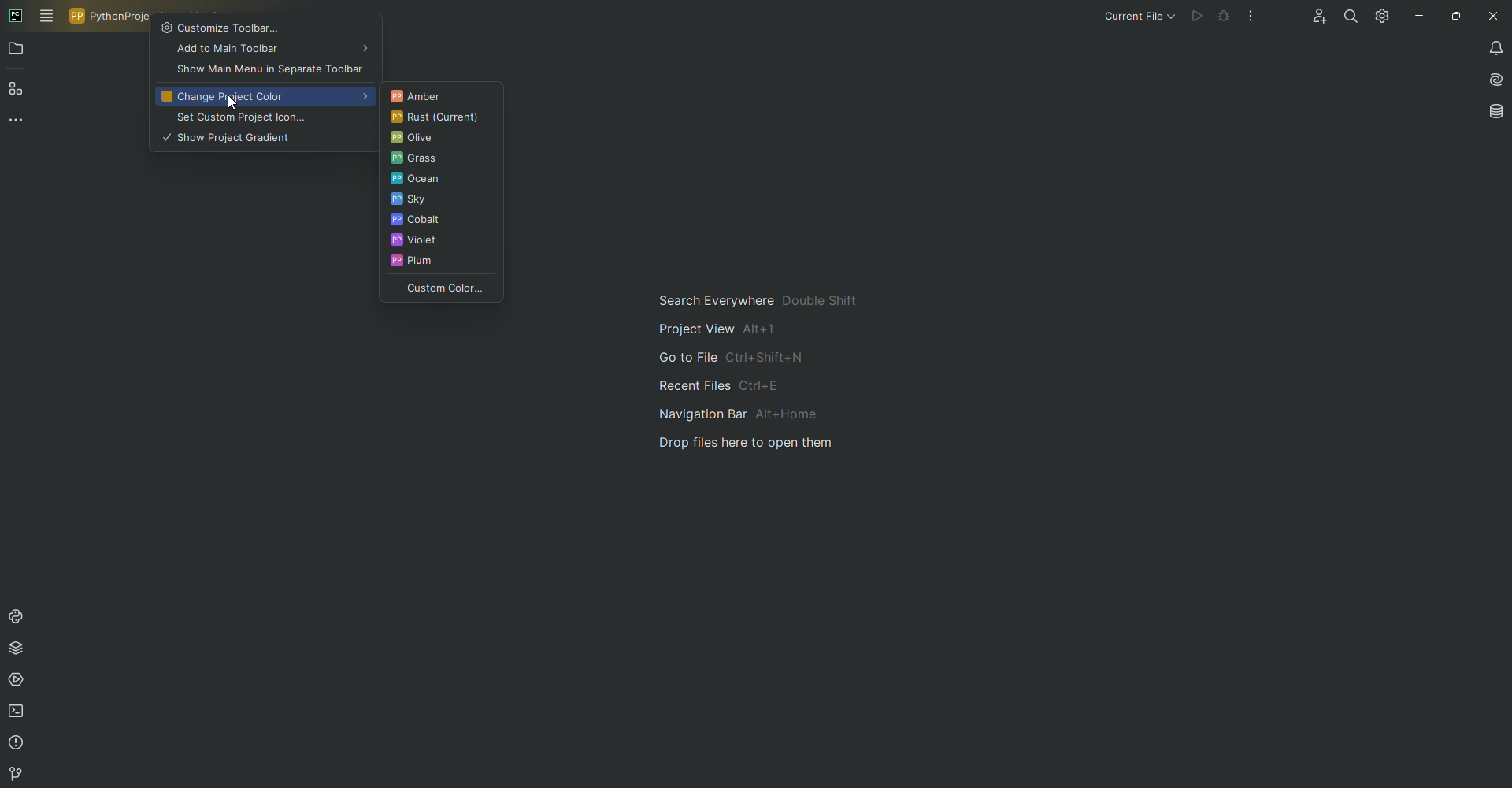  I want to click on Close, so click(1492, 16).